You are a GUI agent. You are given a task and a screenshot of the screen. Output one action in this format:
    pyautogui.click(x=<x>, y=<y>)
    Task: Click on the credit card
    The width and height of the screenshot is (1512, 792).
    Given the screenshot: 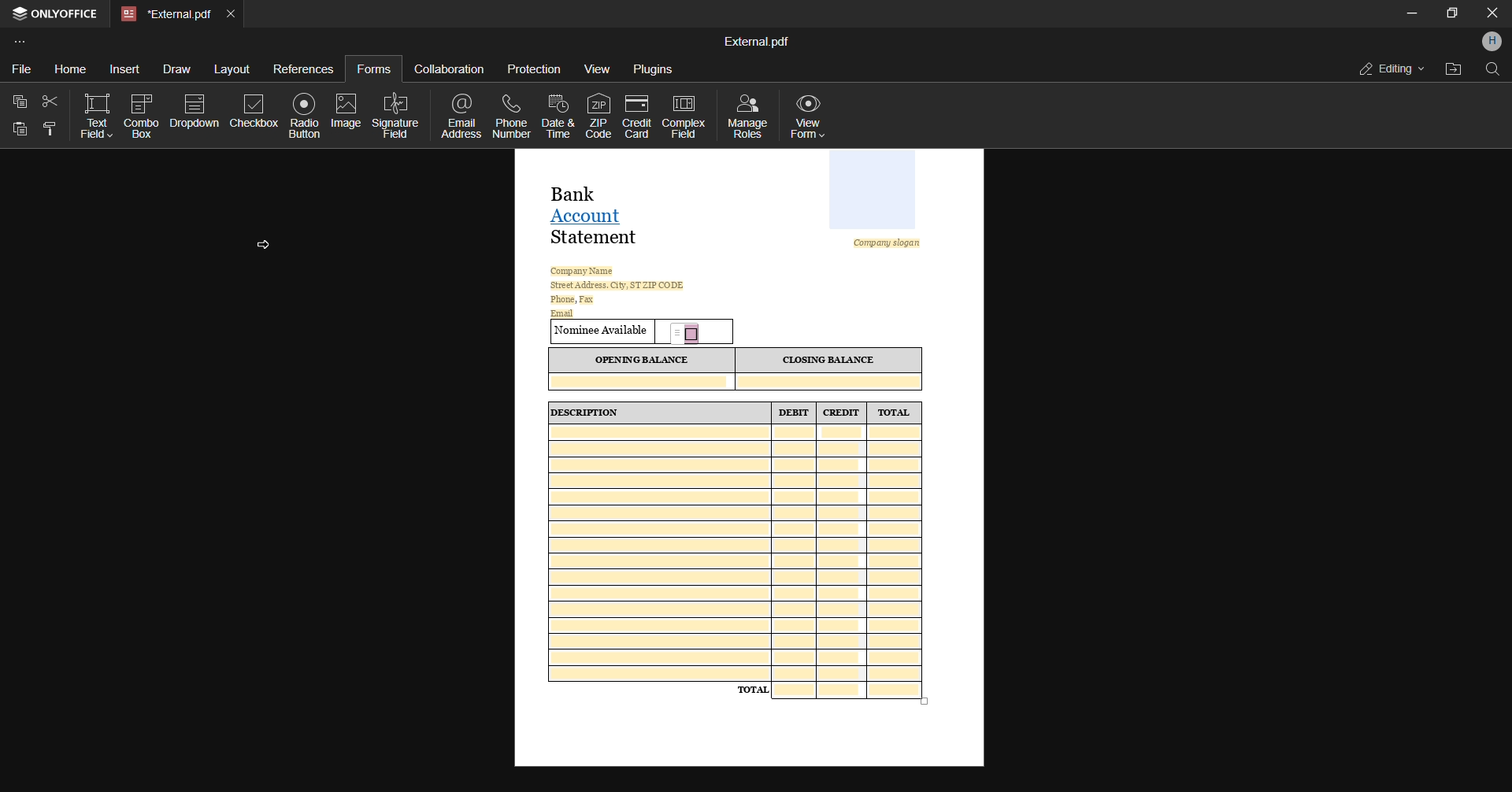 What is the action you would take?
    pyautogui.click(x=635, y=116)
    